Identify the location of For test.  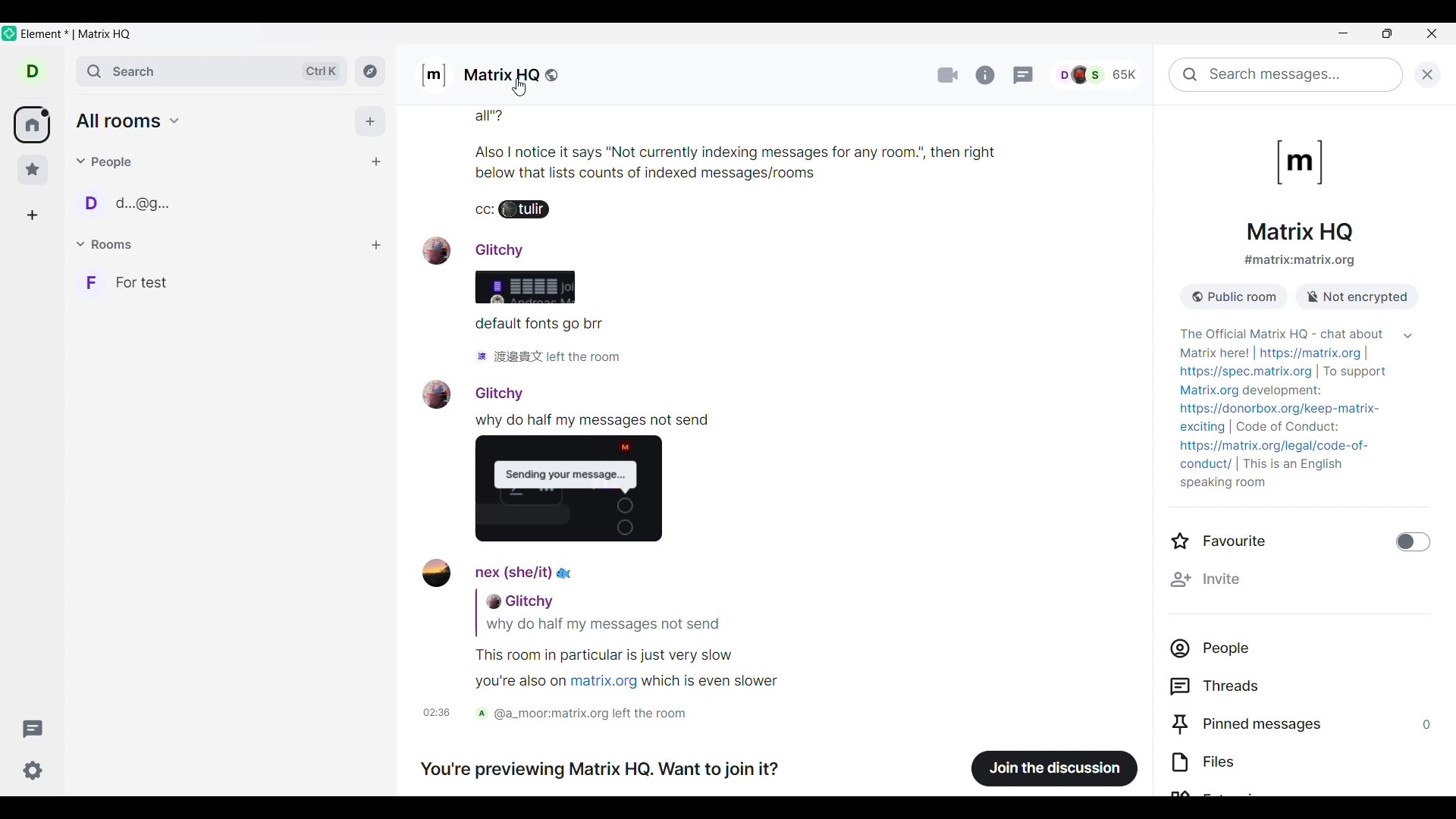
(228, 282).